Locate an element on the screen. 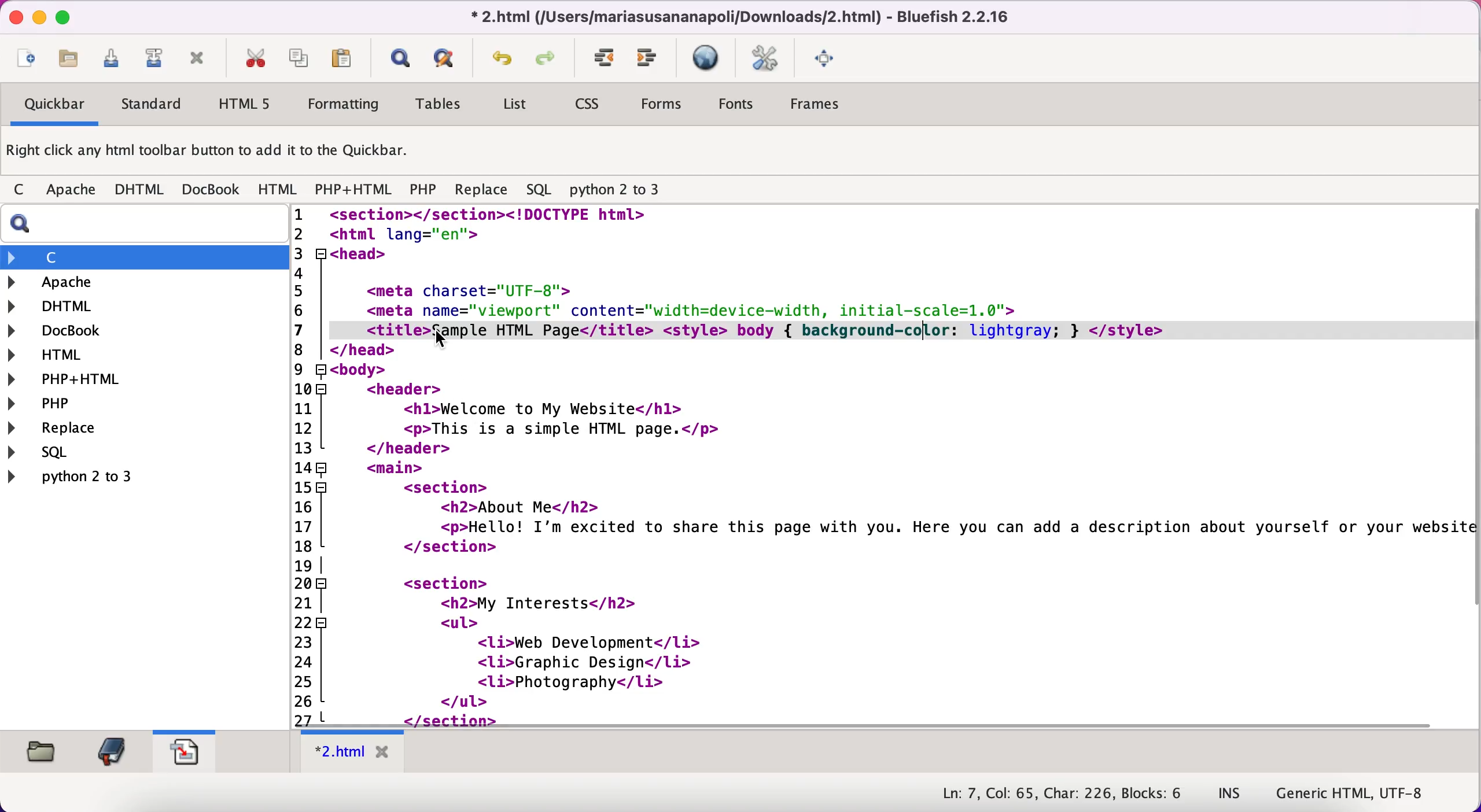  copy is located at coordinates (301, 57).